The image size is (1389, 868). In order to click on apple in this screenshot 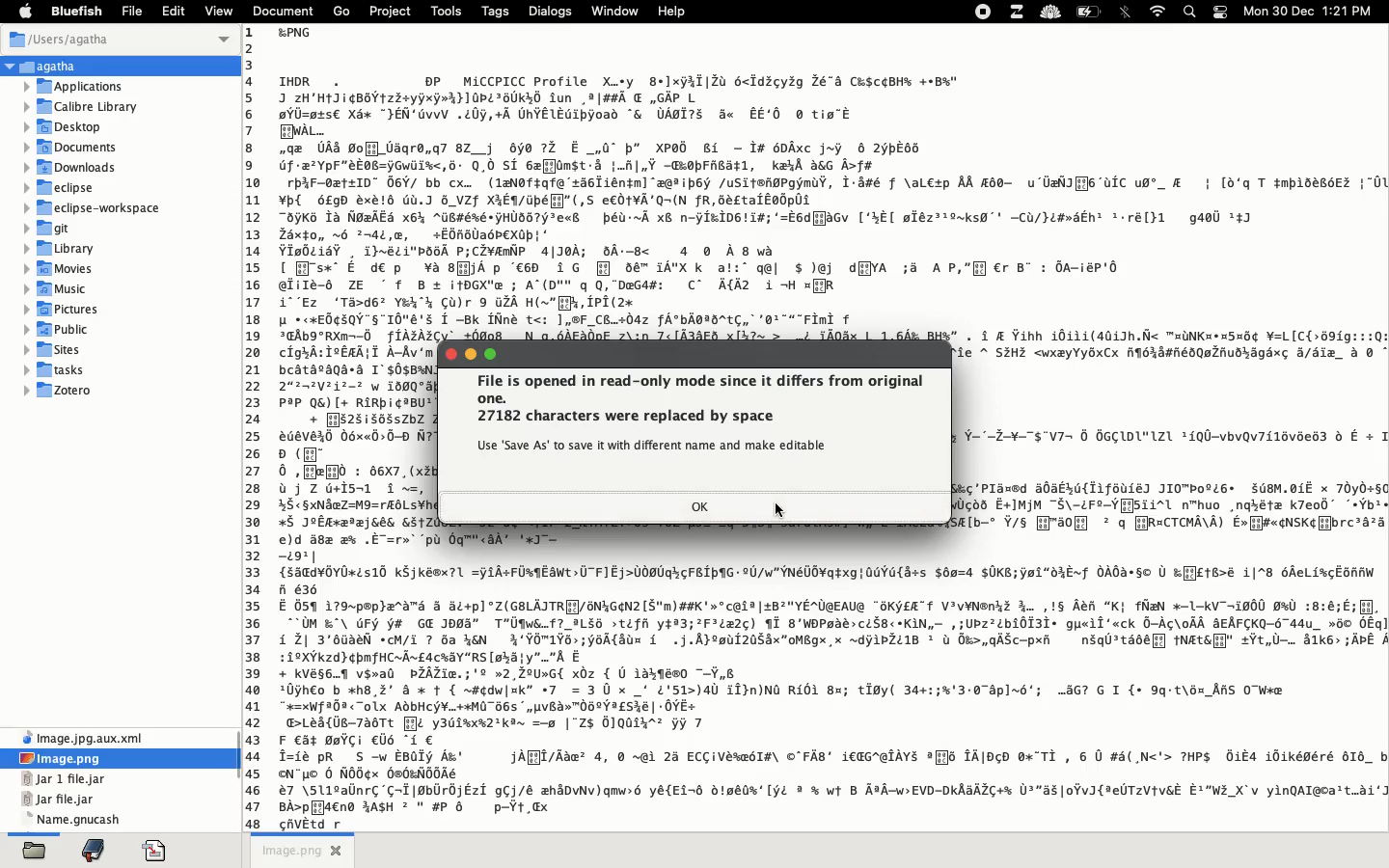, I will do `click(24, 12)`.